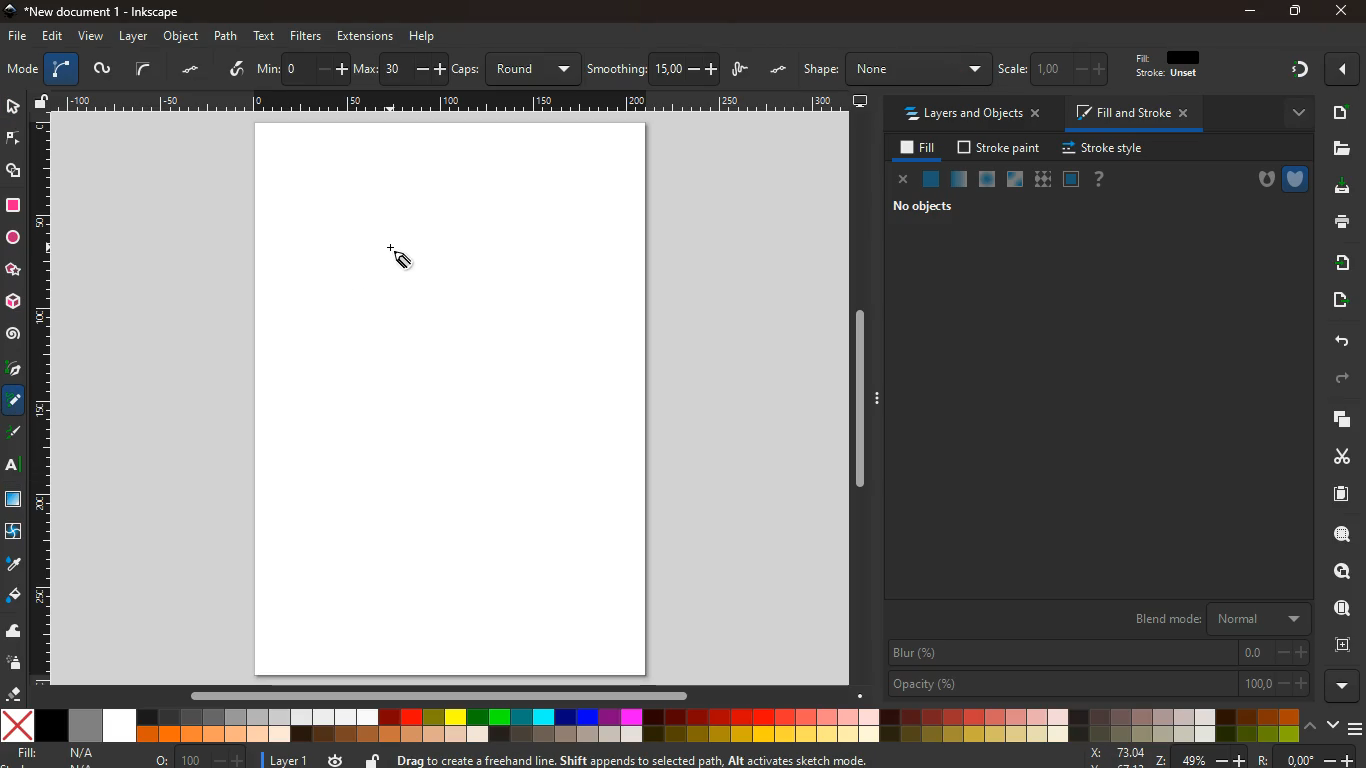 This screenshot has height=768, width=1366. I want to click on mode, so click(22, 71).